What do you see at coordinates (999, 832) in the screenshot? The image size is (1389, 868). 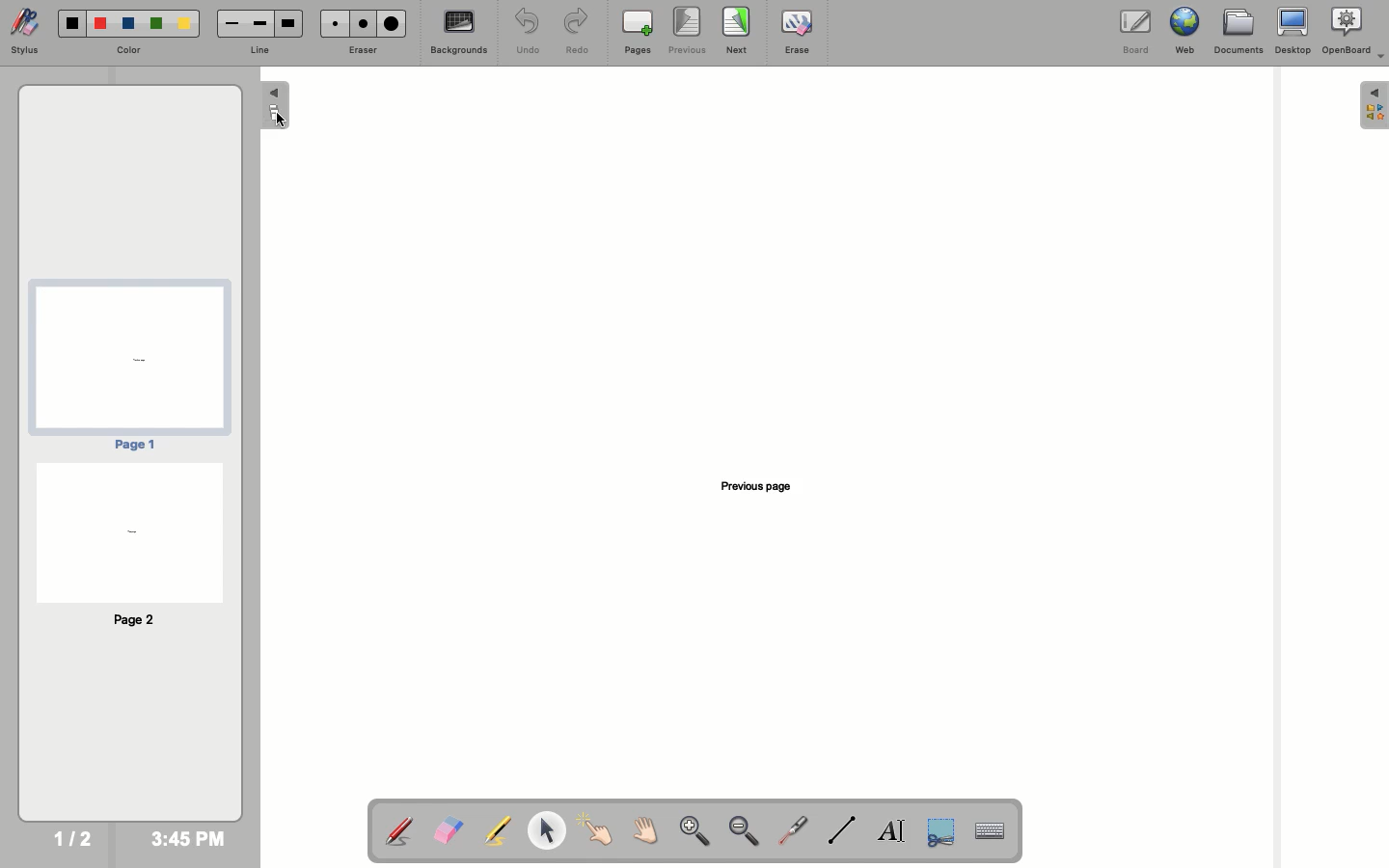 I see `Display virtual keyboard` at bounding box center [999, 832].